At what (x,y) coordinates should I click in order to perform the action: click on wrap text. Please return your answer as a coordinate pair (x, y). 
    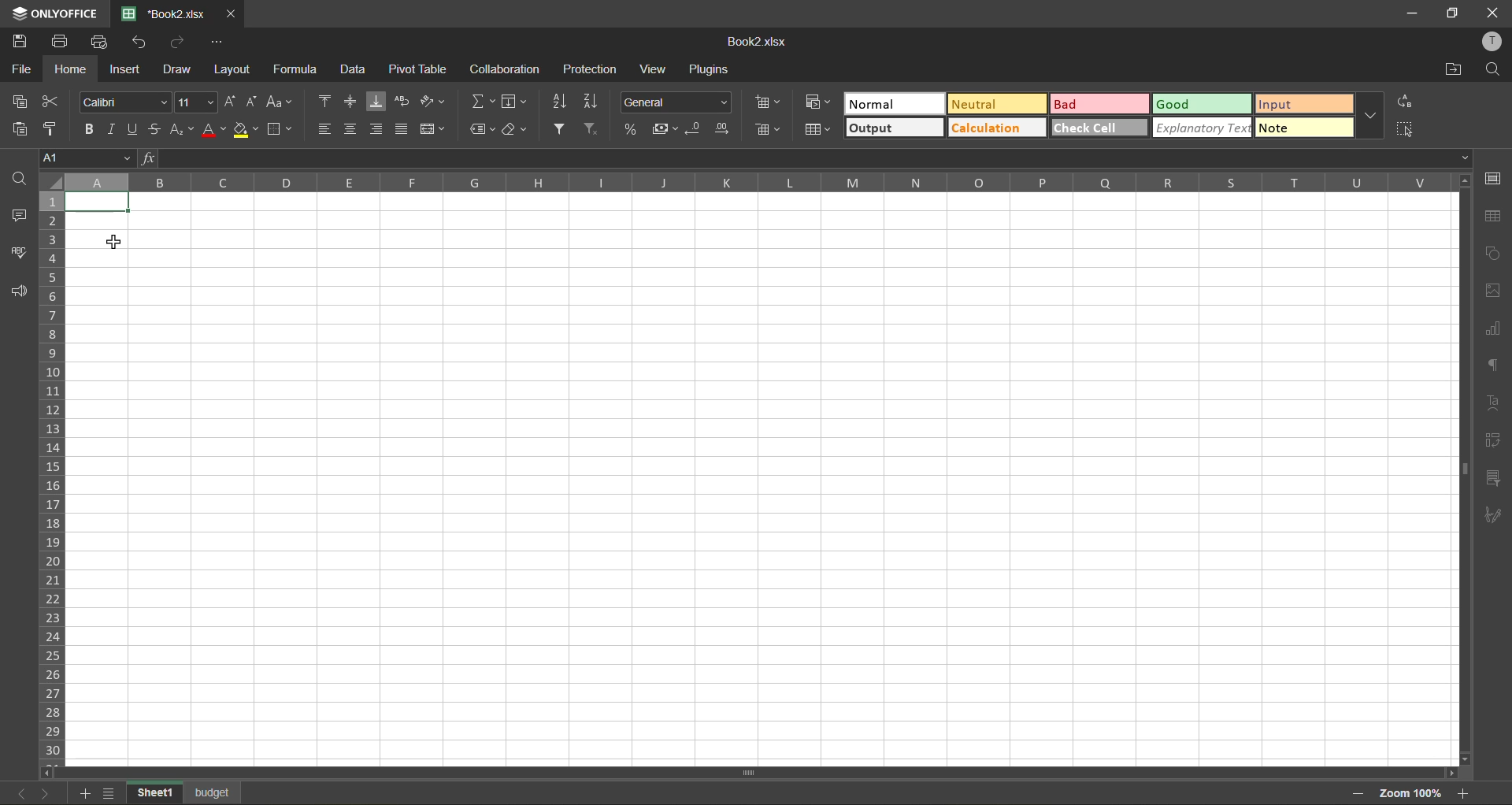
    Looking at the image, I should click on (401, 101).